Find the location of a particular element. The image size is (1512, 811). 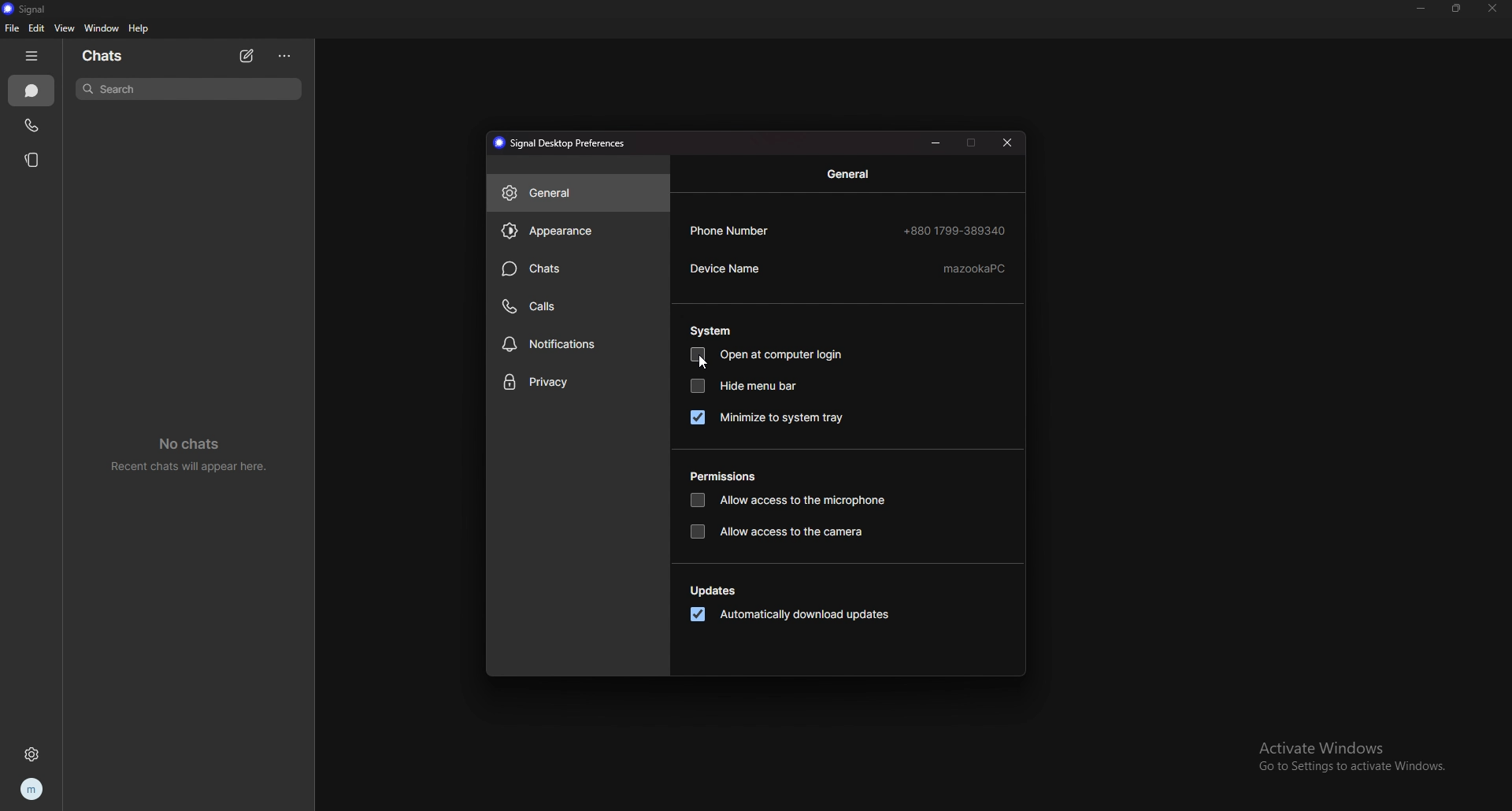

options is located at coordinates (287, 56).